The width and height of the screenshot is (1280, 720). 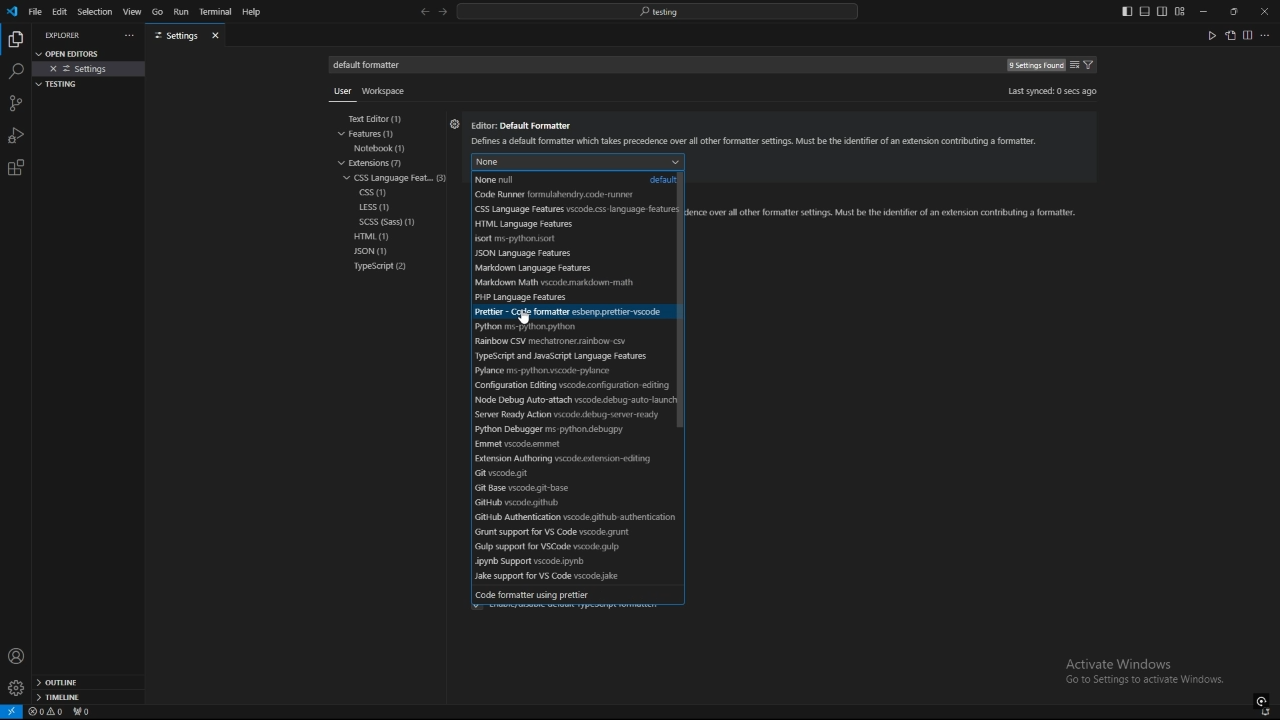 What do you see at coordinates (569, 577) in the screenshot?
I see `jake support for vscode` at bounding box center [569, 577].